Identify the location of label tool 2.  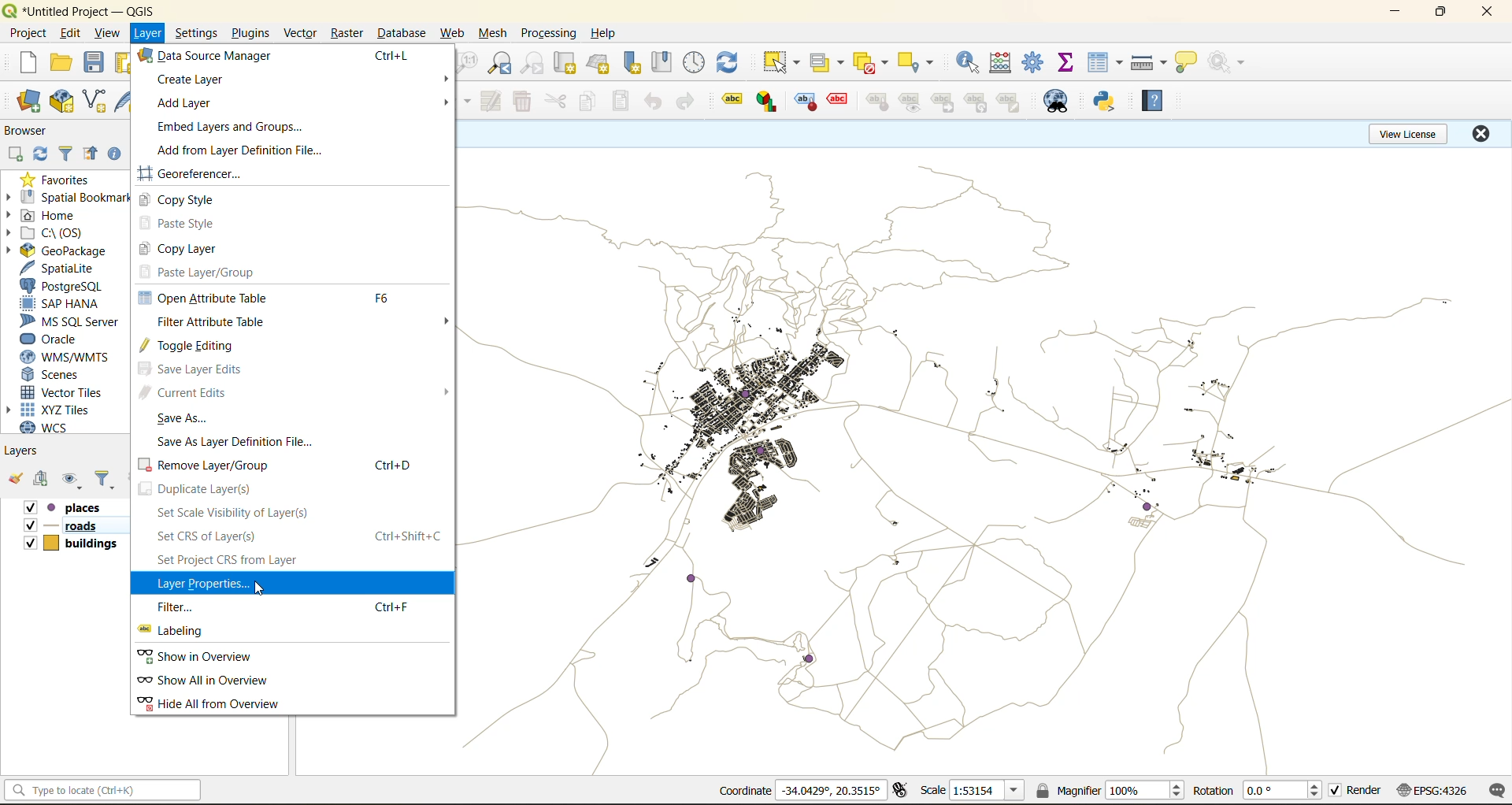
(770, 102).